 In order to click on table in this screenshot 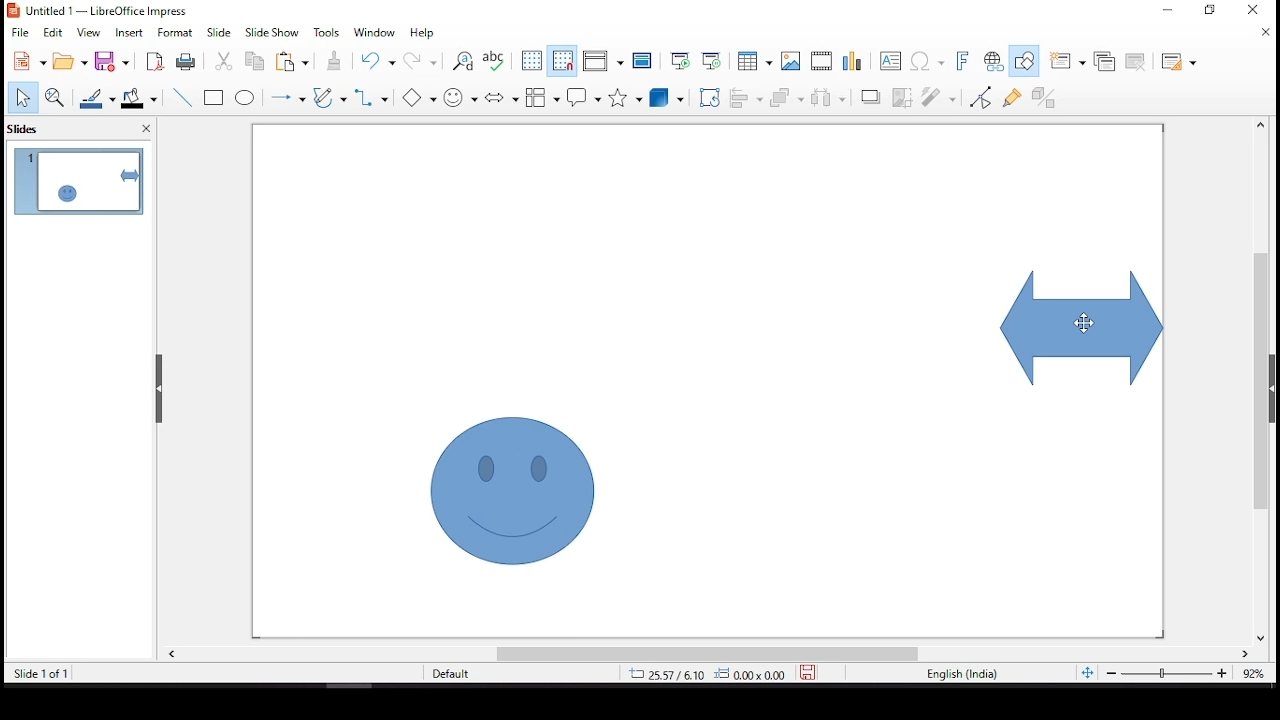, I will do `click(752, 61)`.